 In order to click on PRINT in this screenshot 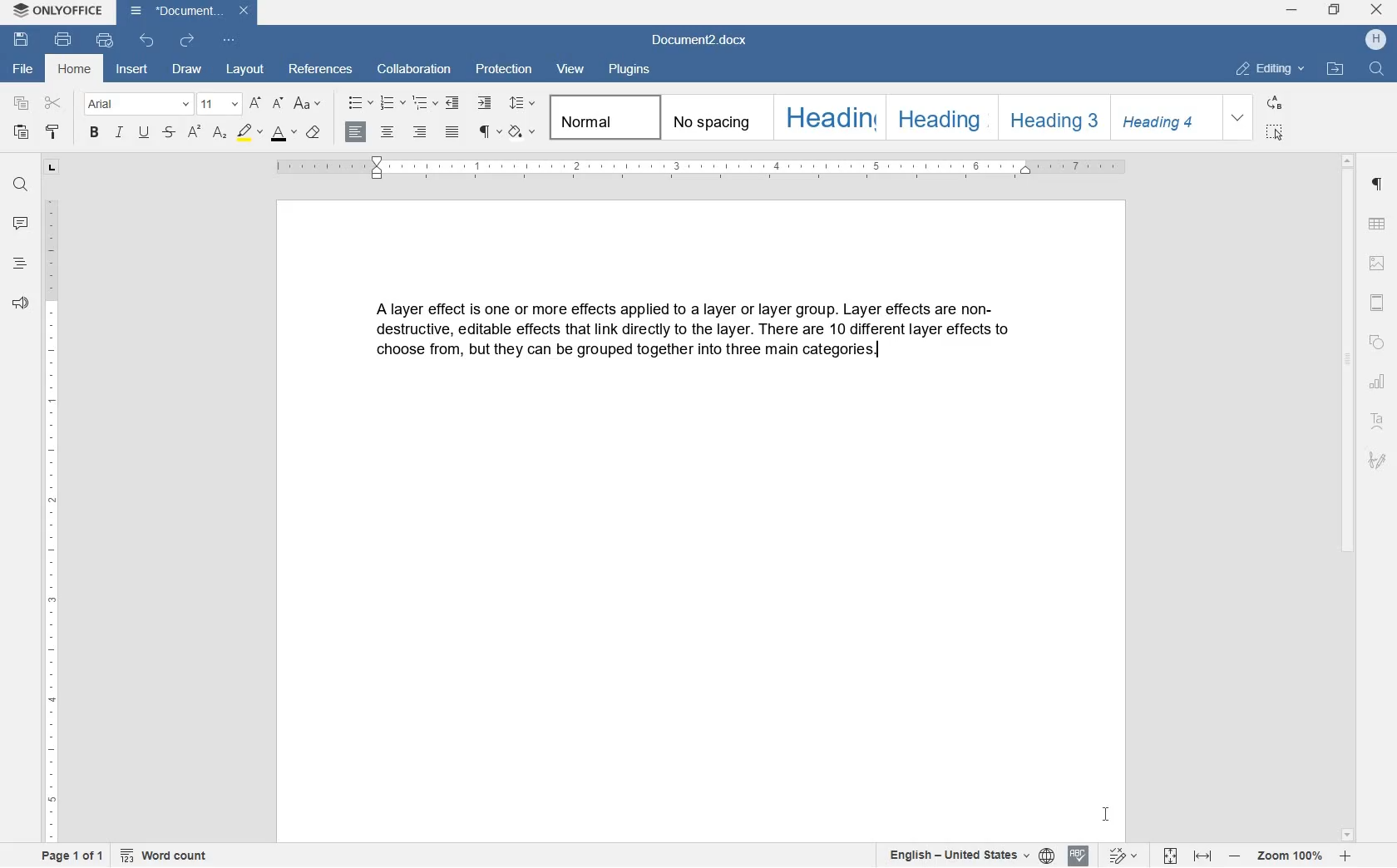, I will do `click(62, 40)`.